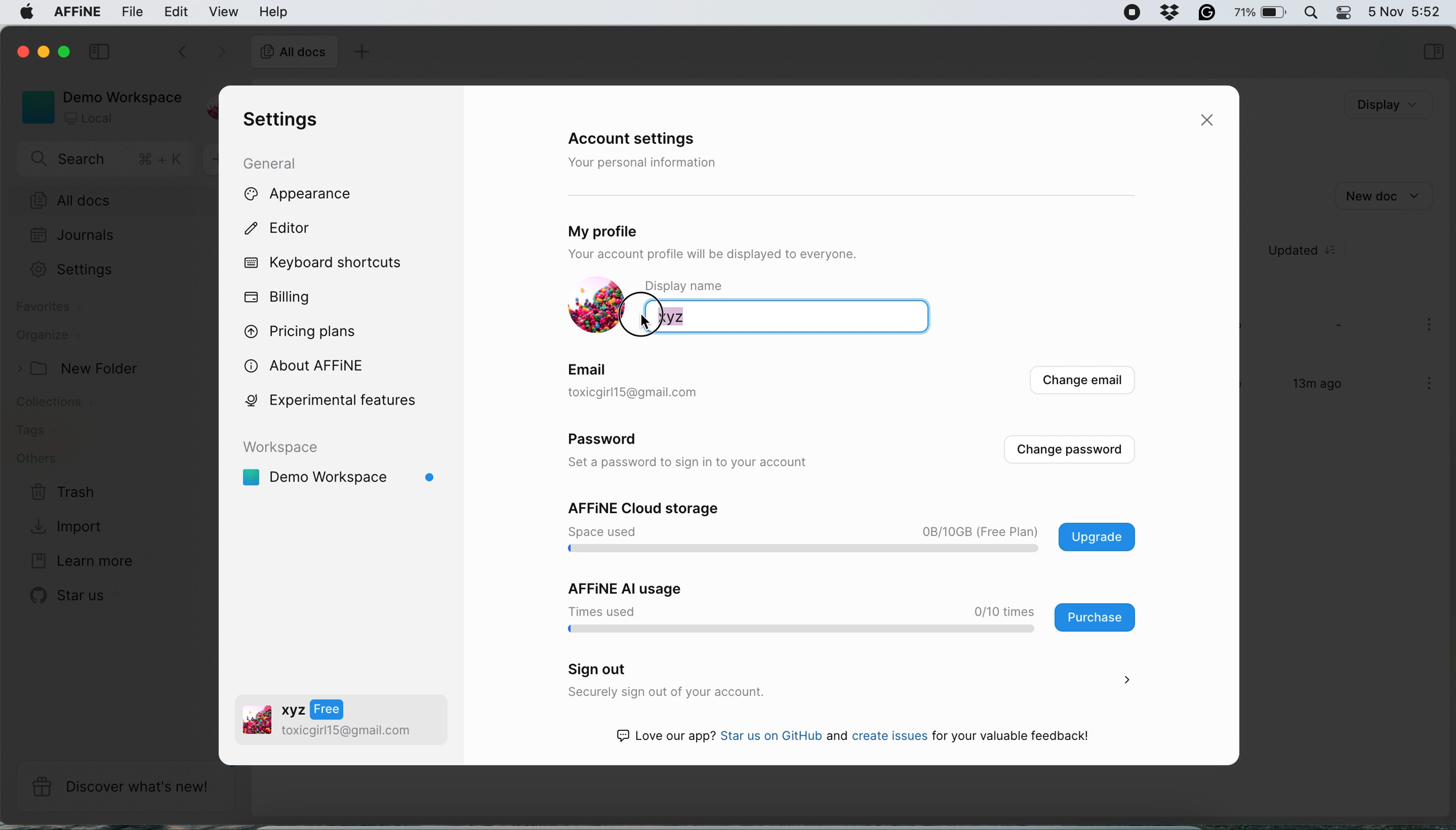  What do you see at coordinates (360, 54) in the screenshot?
I see `add doc` at bounding box center [360, 54].